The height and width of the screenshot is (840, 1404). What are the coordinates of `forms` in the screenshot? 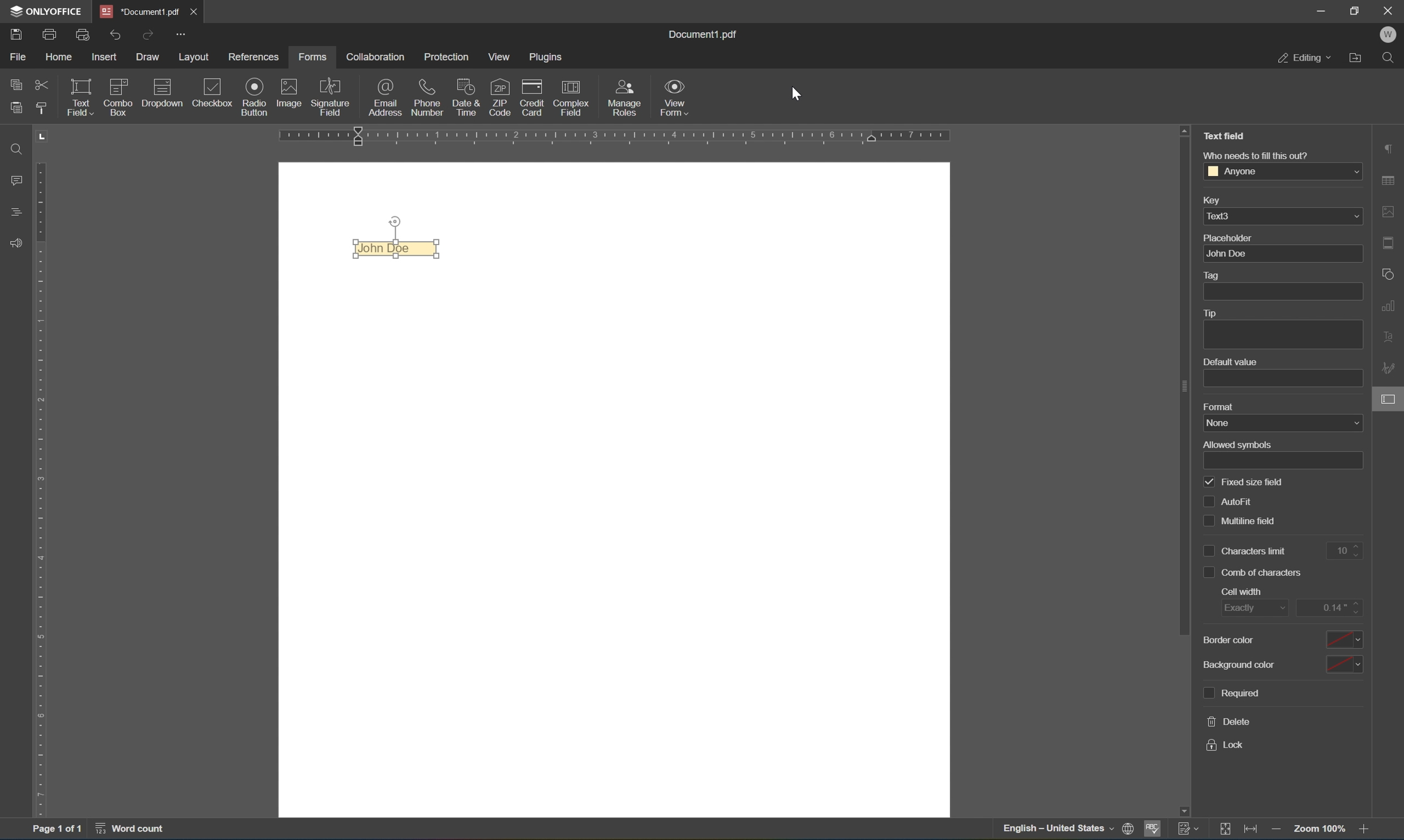 It's located at (313, 58).